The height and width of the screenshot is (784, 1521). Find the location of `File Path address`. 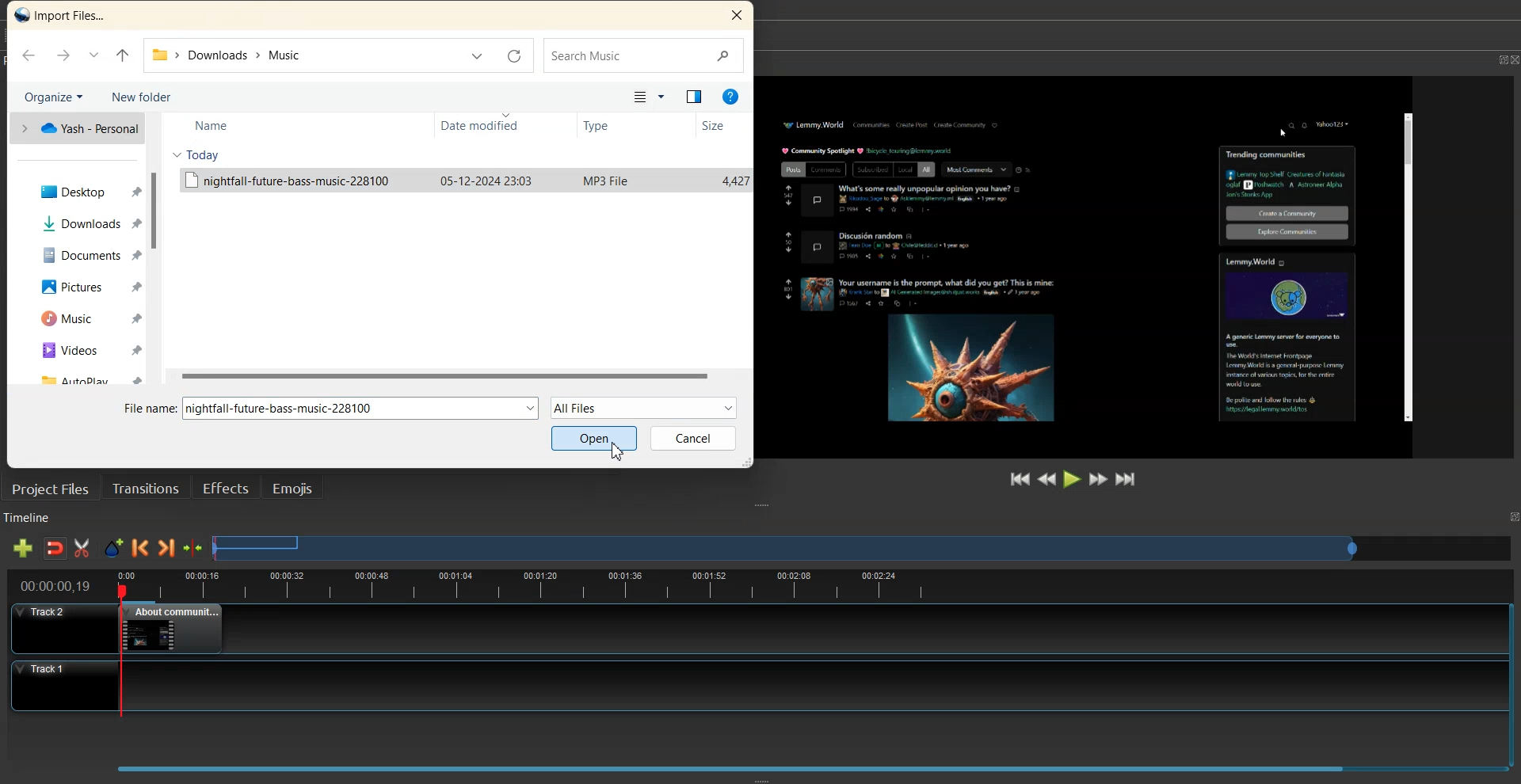

File Path address is located at coordinates (233, 55).